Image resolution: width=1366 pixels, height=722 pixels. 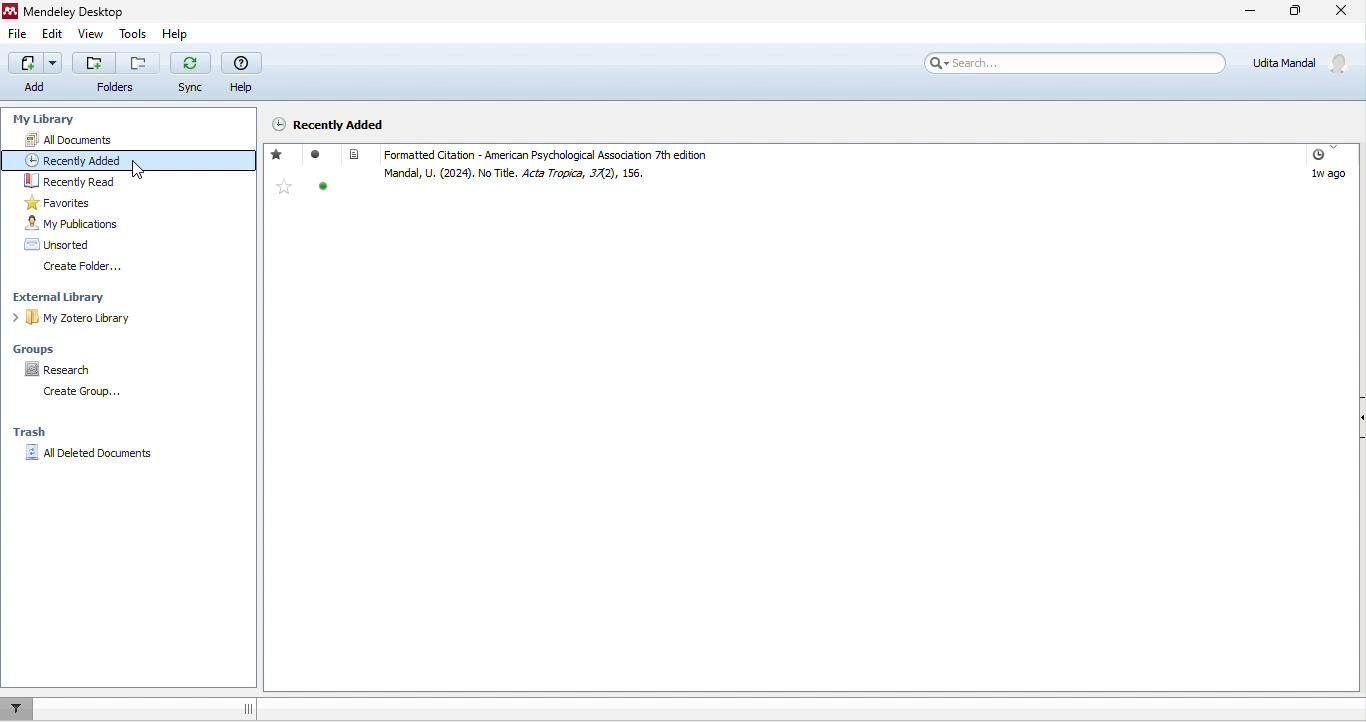 I want to click on formatted citation-american Psychological Association 7th edition, so click(x=579, y=155).